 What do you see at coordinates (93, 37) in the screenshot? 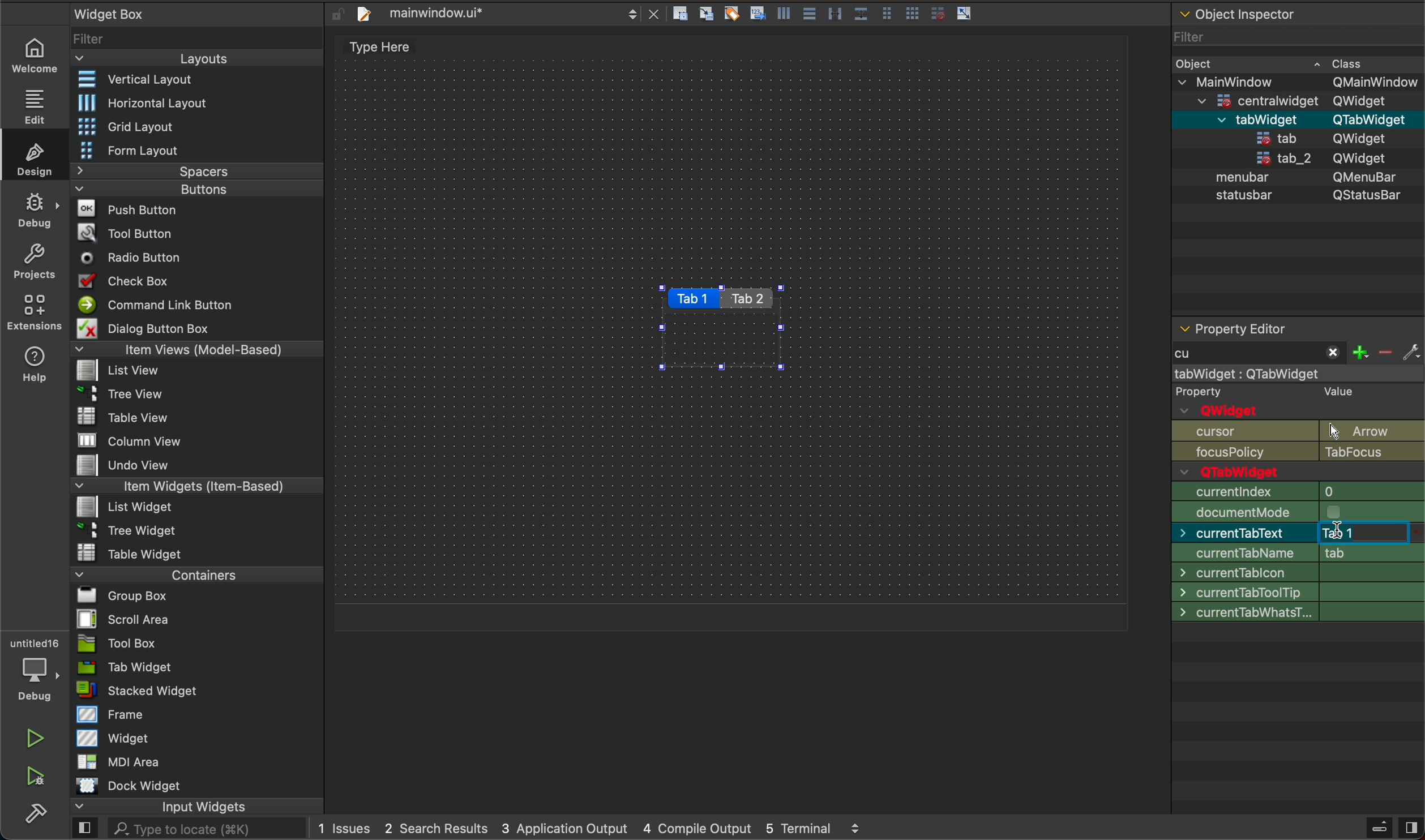
I see `Filter` at bounding box center [93, 37].